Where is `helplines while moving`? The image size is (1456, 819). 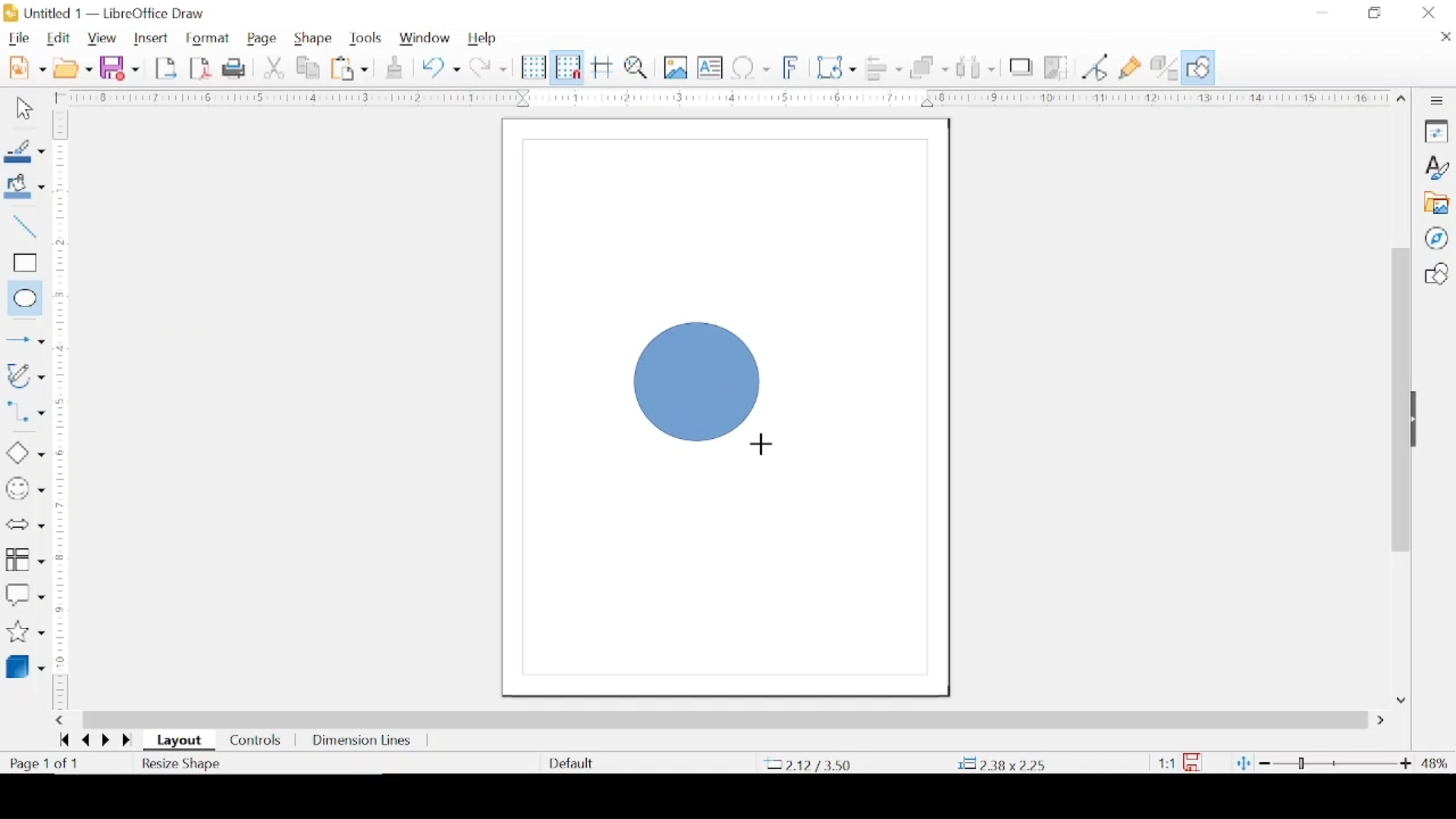
helplines while moving is located at coordinates (603, 67).